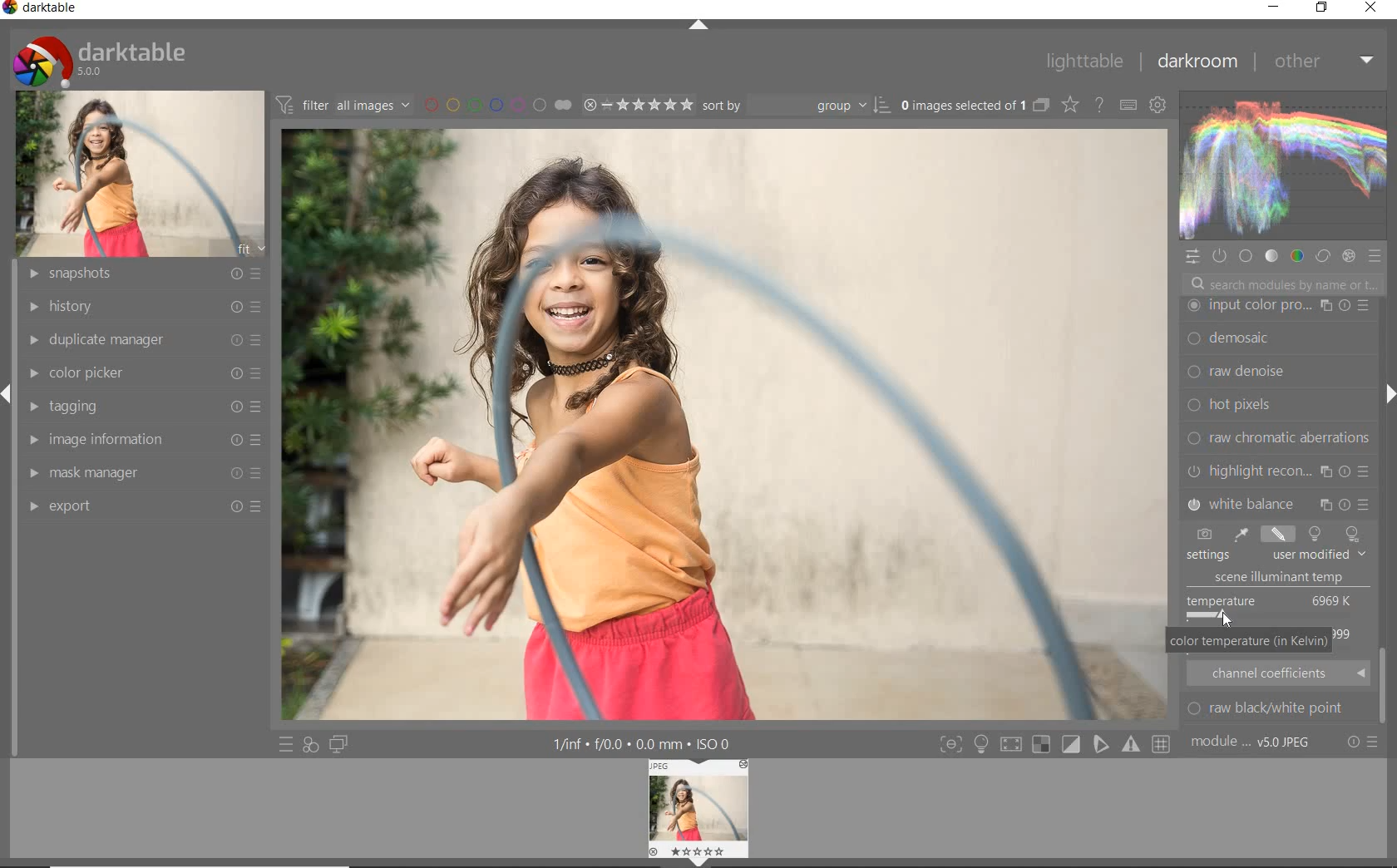 Image resolution: width=1397 pixels, height=868 pixels. What do you see at coordinates (1281, 165) in the screenshot?
I see `waveform` at bounding box center [1281, 165].